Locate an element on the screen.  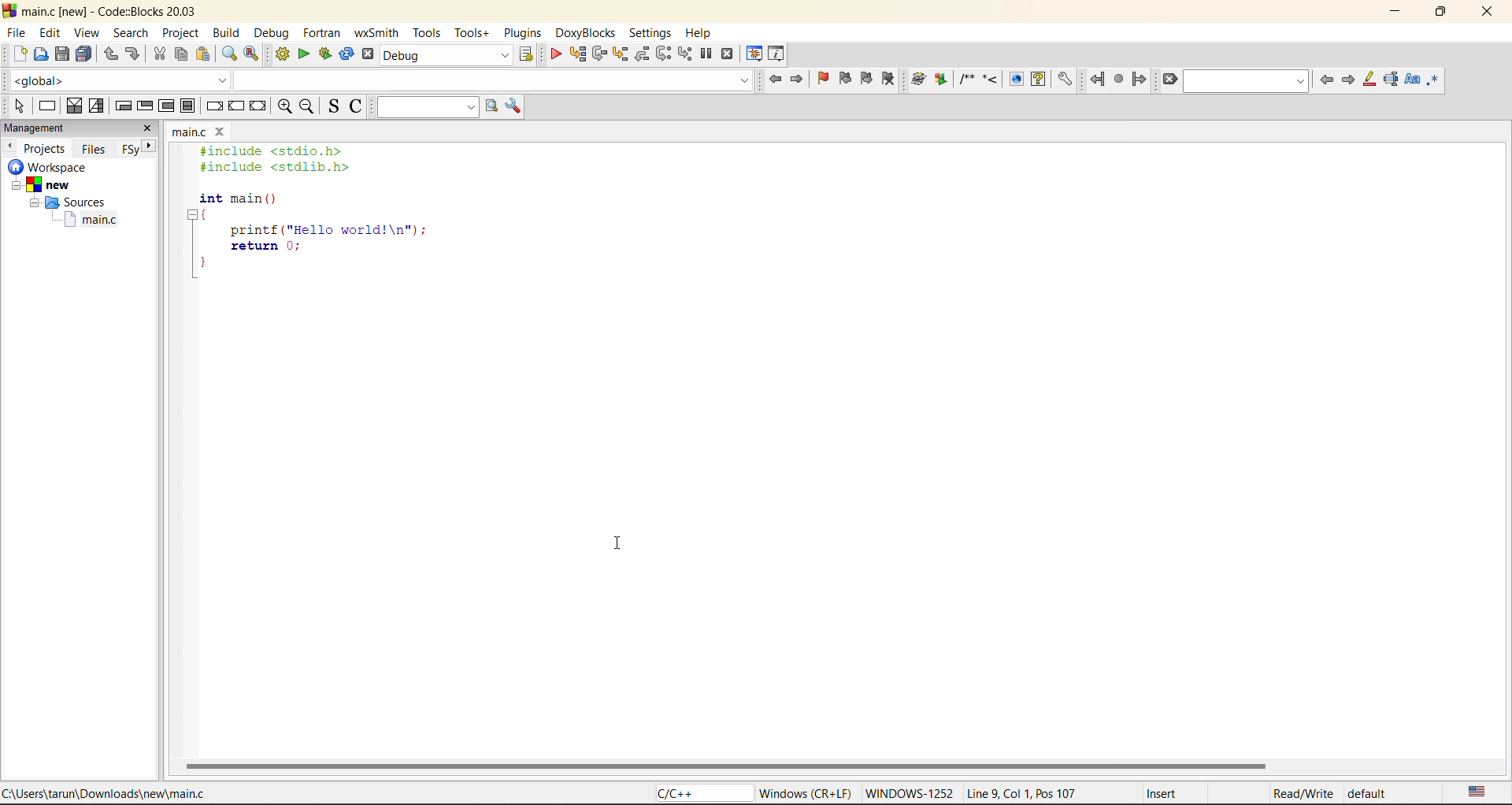
horizontal scroll bar is located at coordinates (725, 766).